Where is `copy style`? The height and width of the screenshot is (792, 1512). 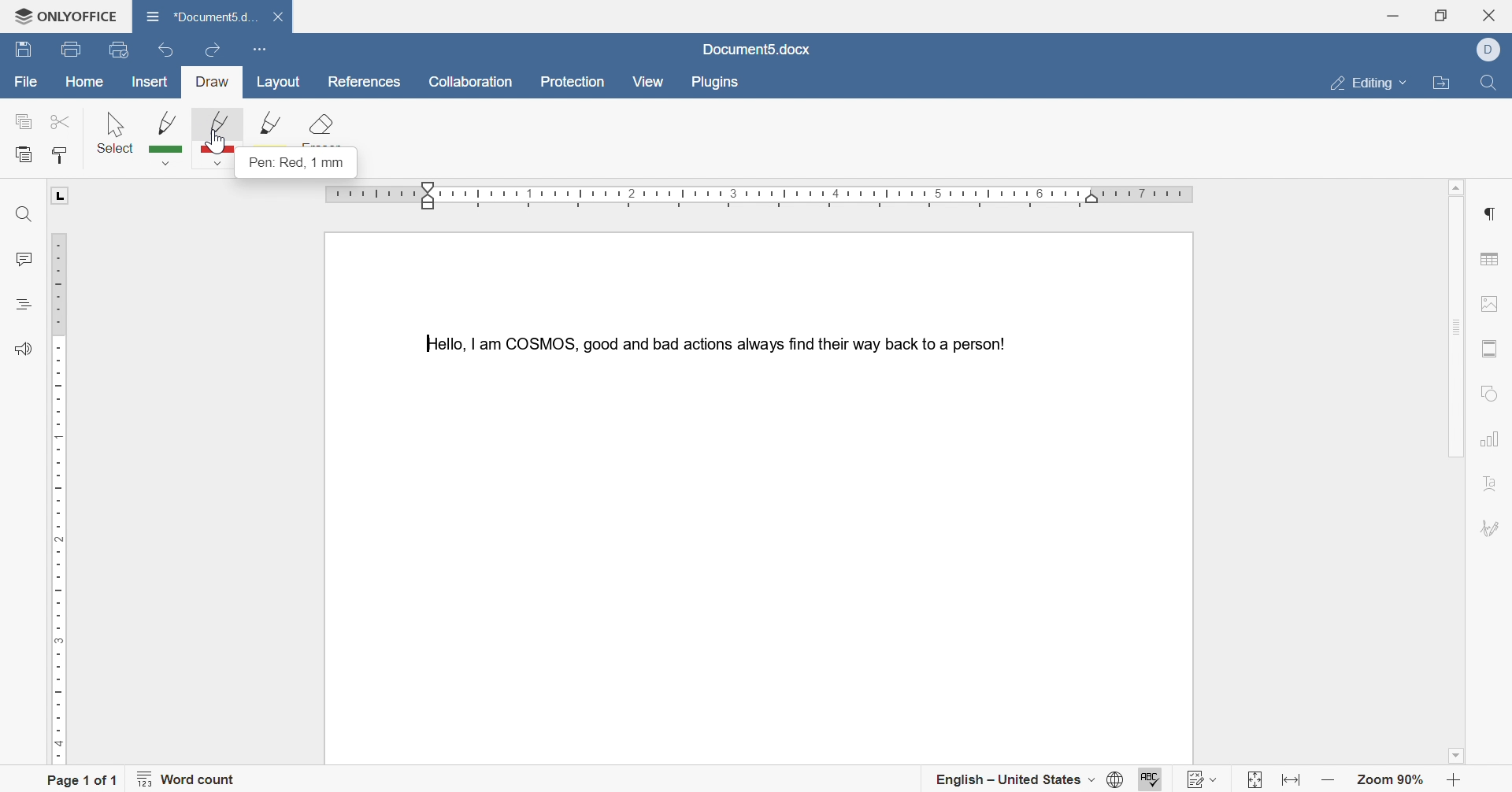 copy style is located at coordinates (62, 154).